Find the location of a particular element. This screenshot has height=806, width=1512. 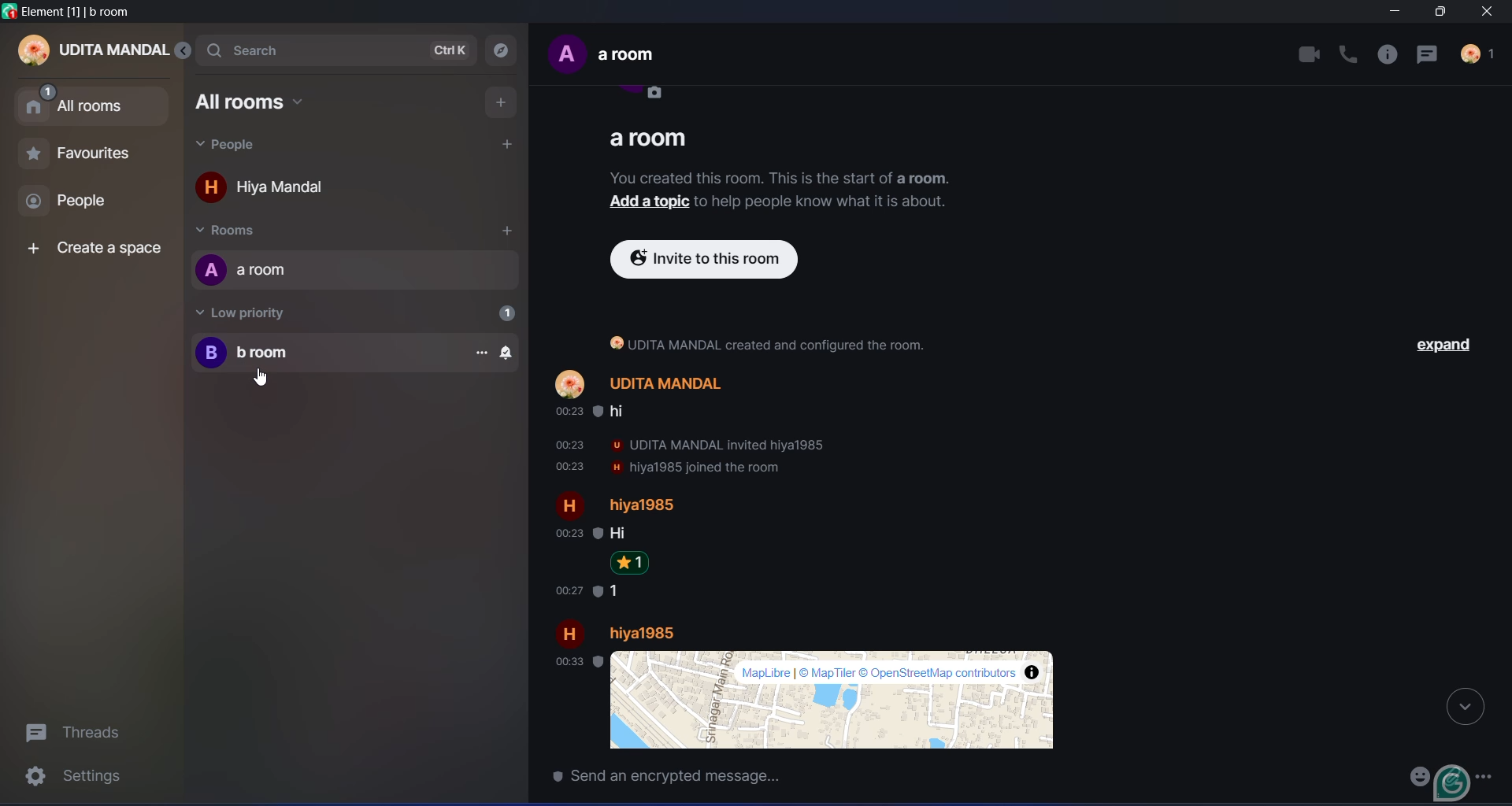

explore is located at coordinates (503, 50).